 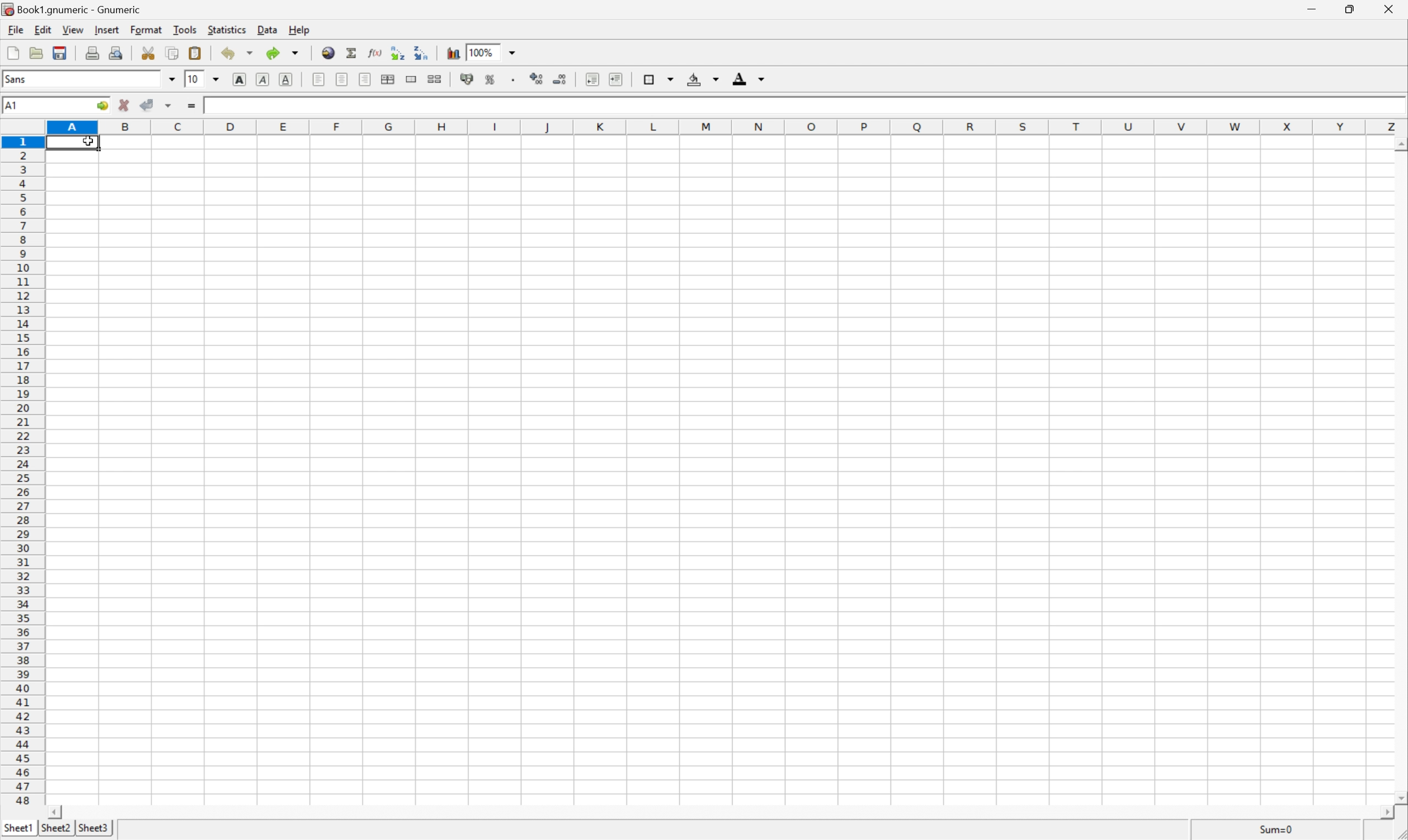 I want to click on accept changes across selection, so click(x=168, y=106).